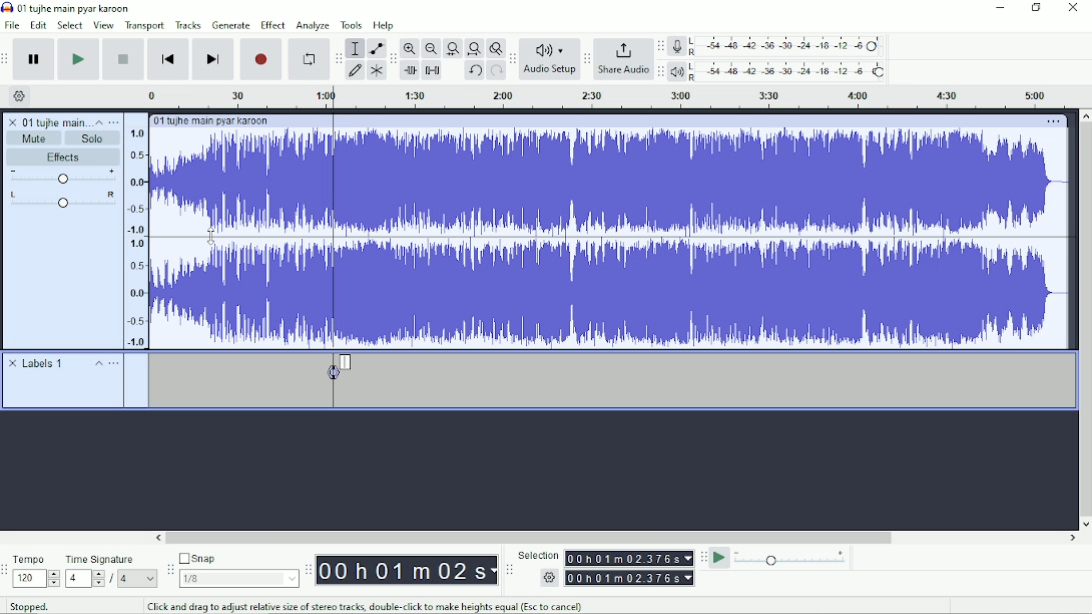 The image size is (1092, 614). I want to click on Mute, so click(35, 138).